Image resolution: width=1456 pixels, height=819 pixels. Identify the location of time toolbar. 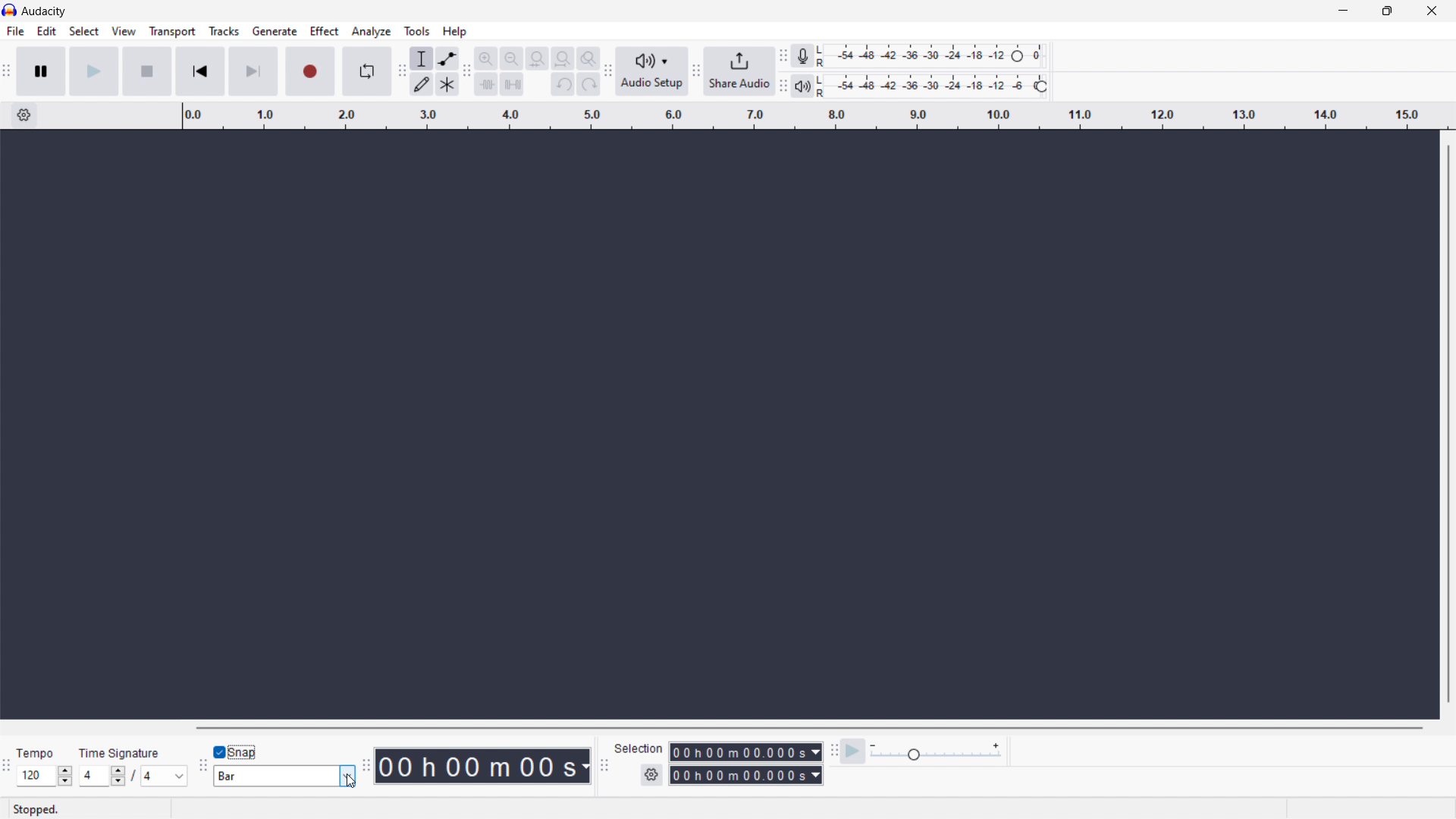
(364, 766).